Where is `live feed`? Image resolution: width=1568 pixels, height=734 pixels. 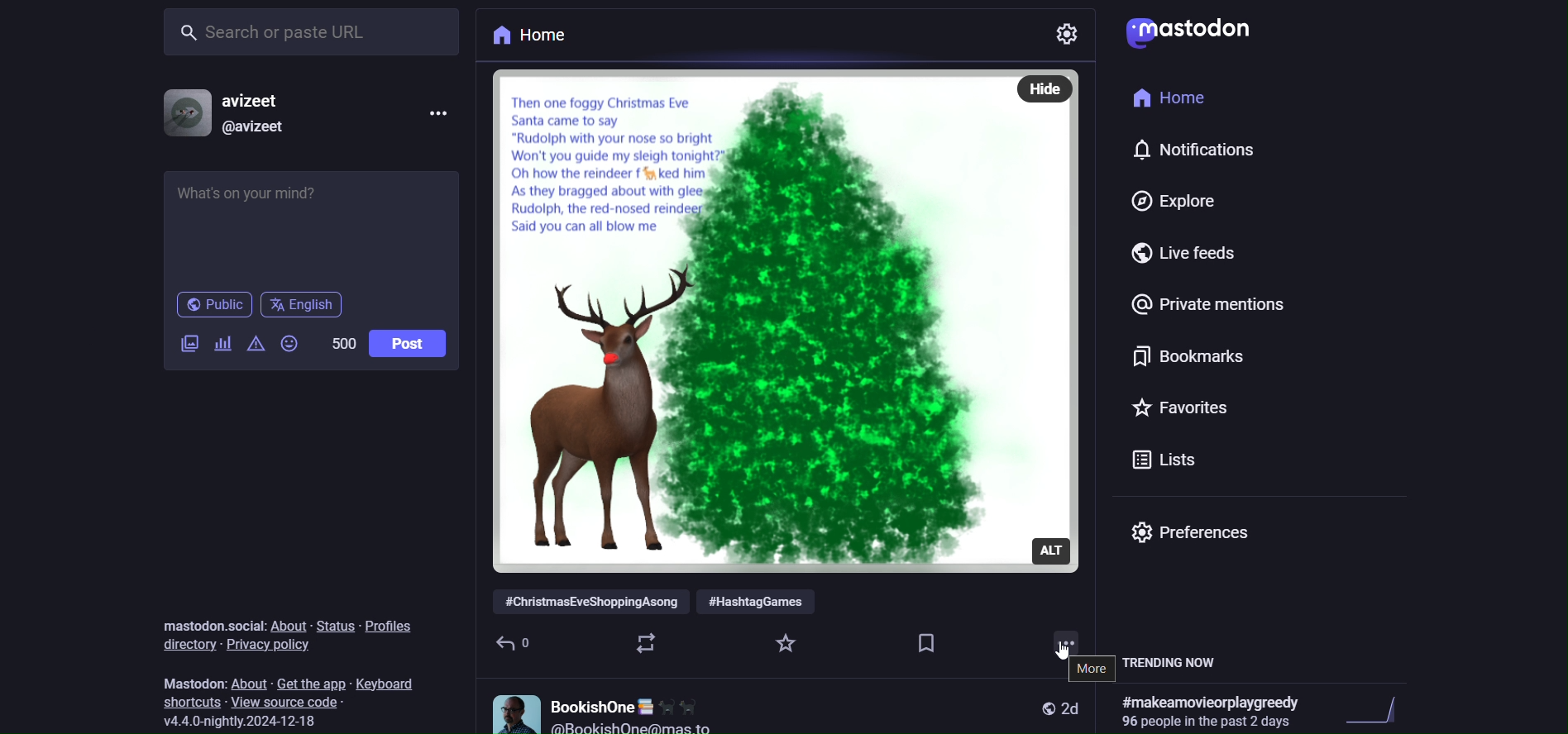 live feed is located at coordinates (1186, 254).